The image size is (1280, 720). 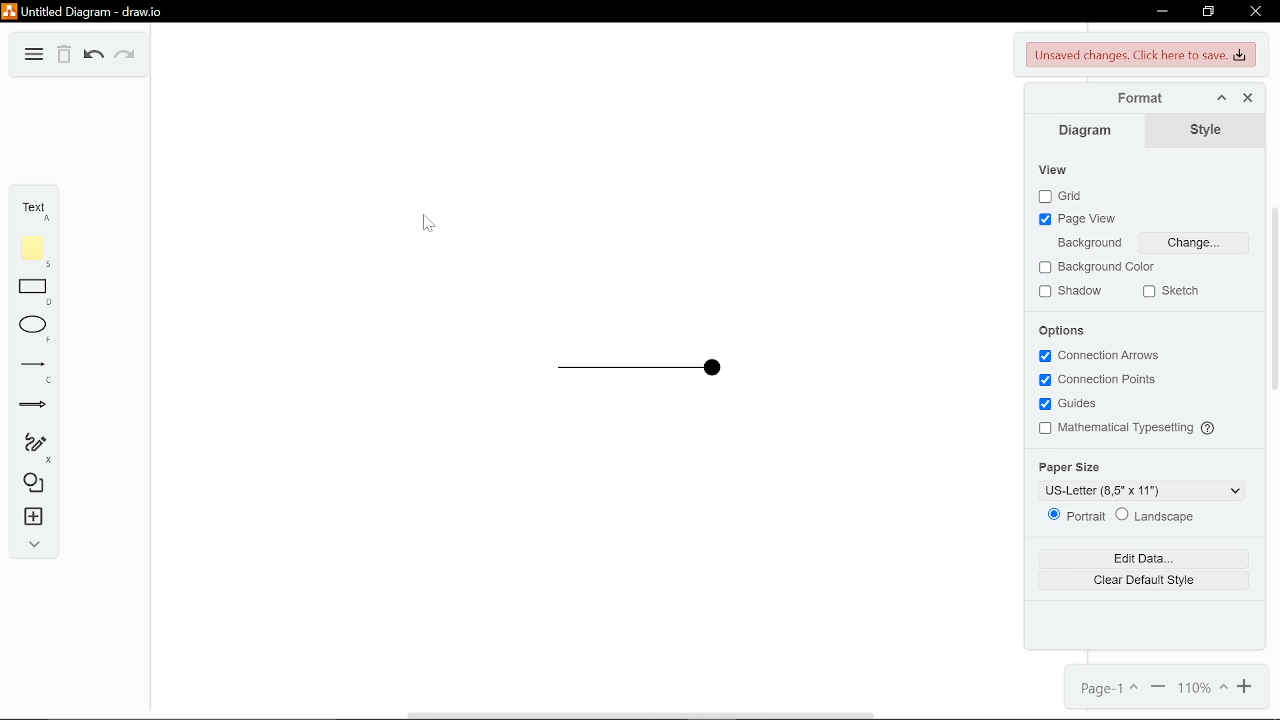 What do you see at coordinates (35, 331) in the screenshot?
I see `Ellipse` at bounding box center [35, 331].